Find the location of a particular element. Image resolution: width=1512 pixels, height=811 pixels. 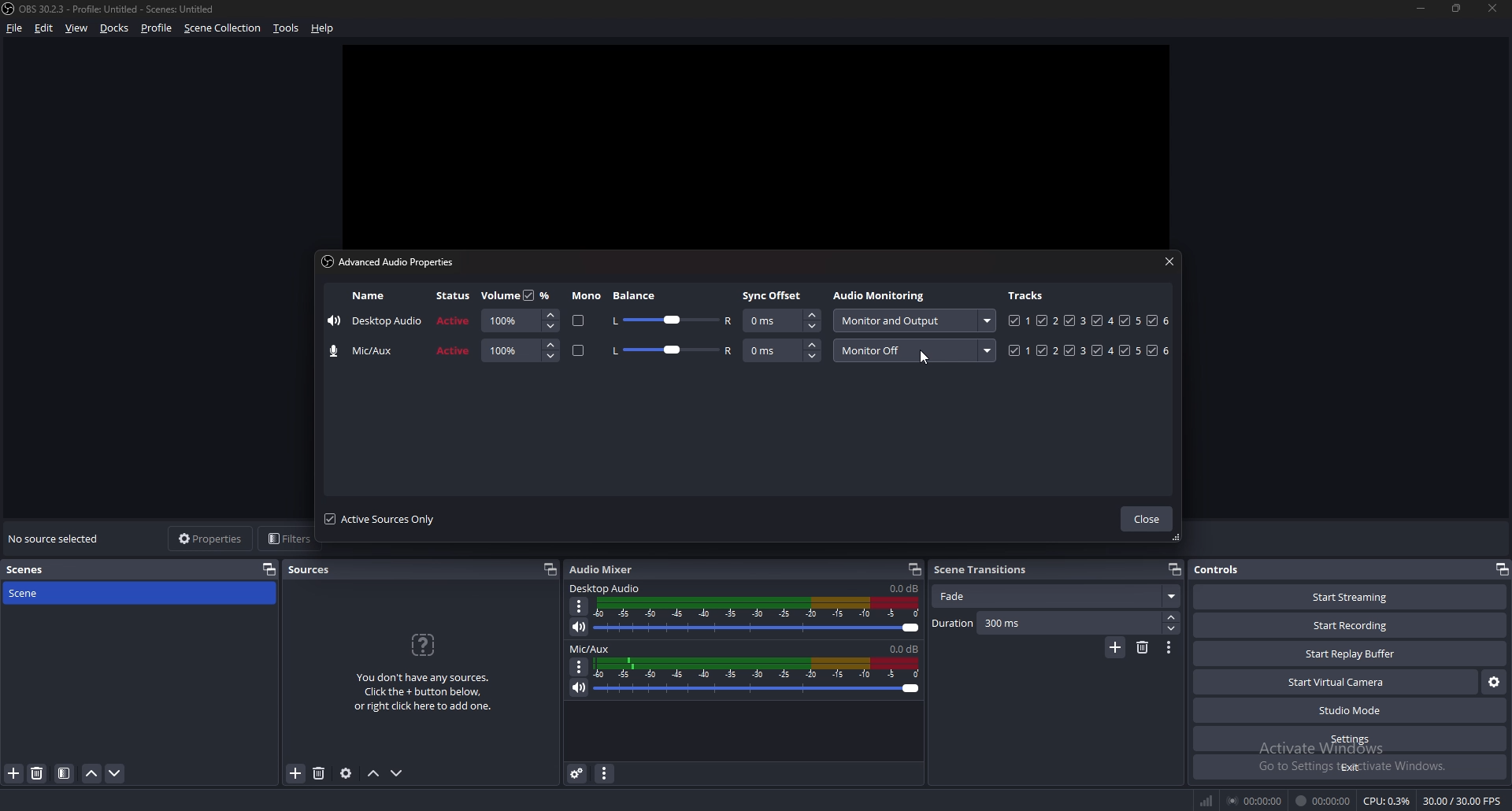

close is located at coordinates (1492, 6).